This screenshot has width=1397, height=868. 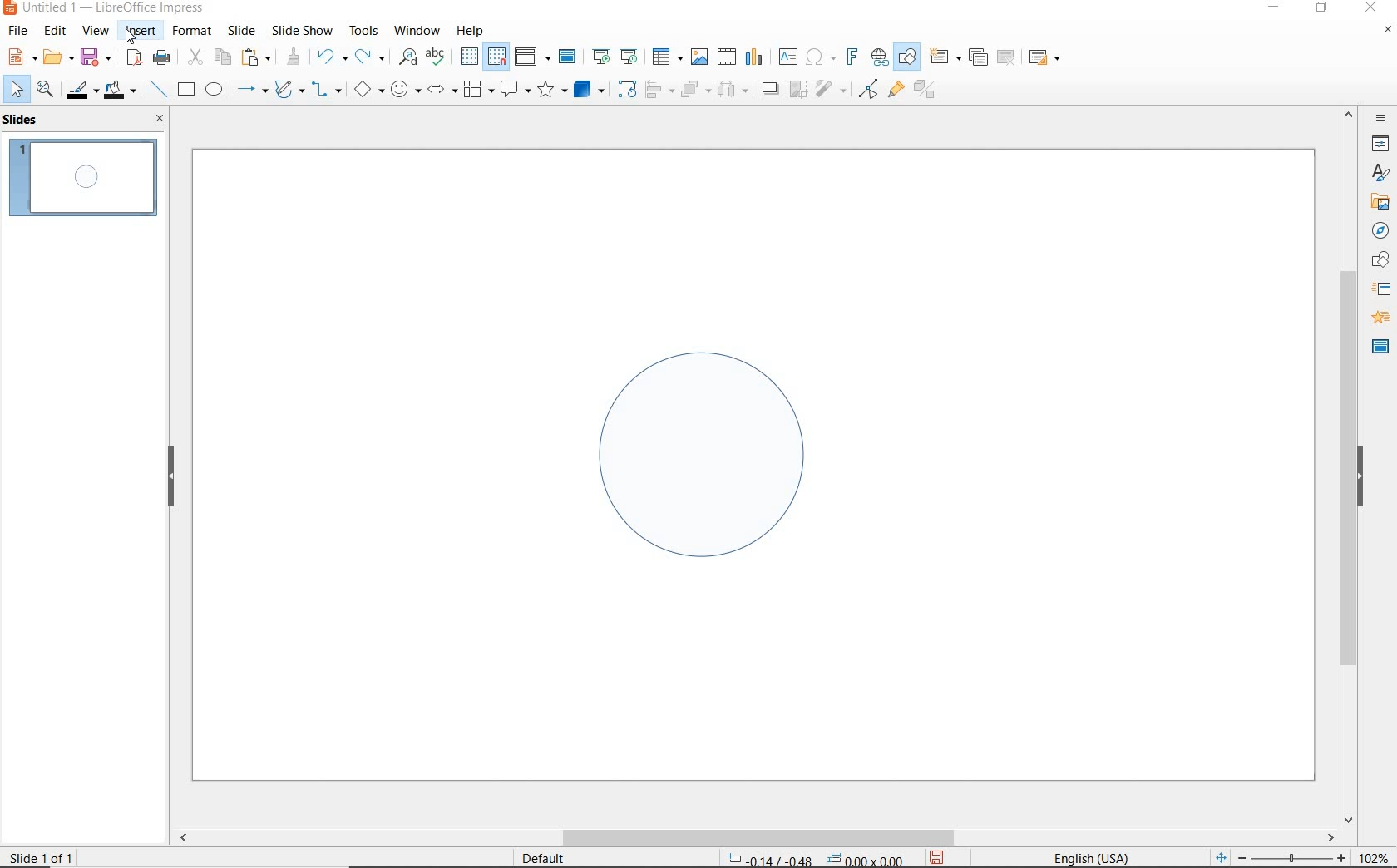 I want to click on insert special characters, so click(x=817, y=55).